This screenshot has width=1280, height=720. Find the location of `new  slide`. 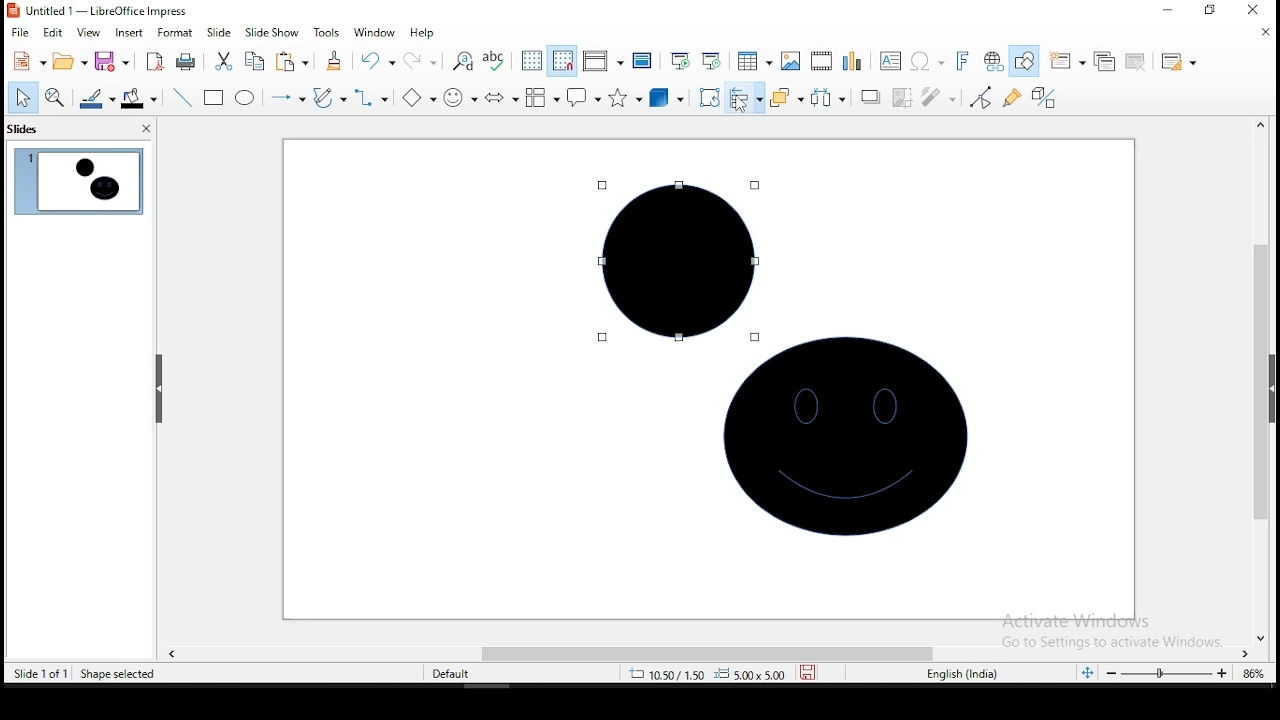

new  slide is located at coordinates (1068, 59).